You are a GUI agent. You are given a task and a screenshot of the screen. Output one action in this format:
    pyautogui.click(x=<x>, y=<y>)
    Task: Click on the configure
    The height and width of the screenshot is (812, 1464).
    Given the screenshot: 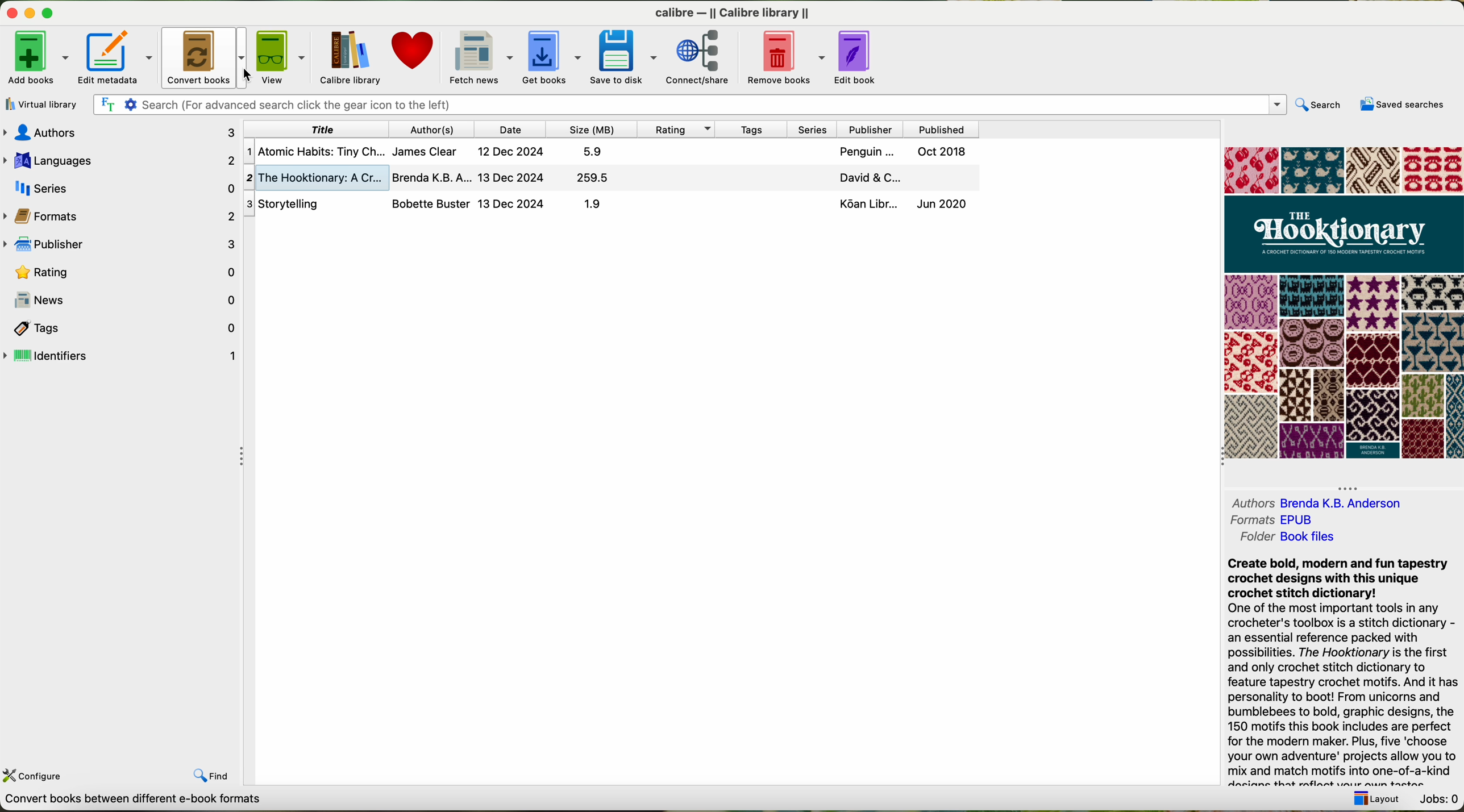 What is the action you would take?
    pyautogui.click(x=36, y=778)
    